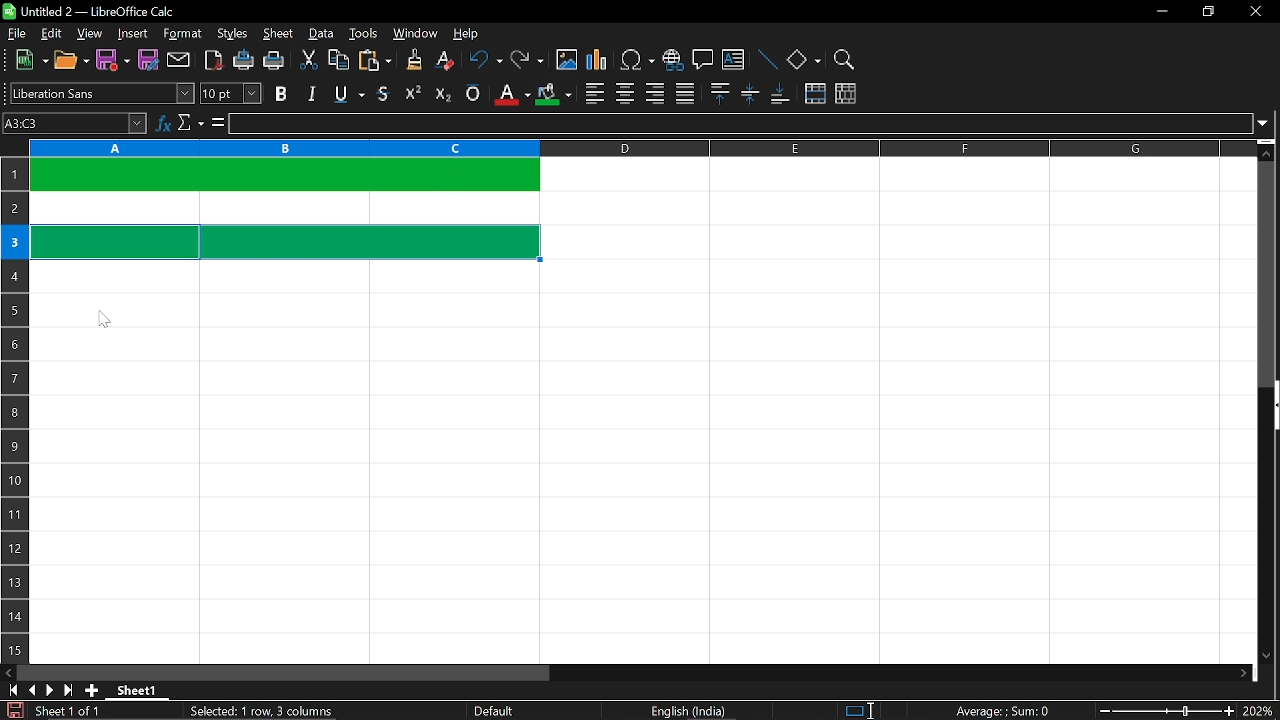 The width and height of the screenshot is (1280, 720). What do you see at coordinates (133, 34) in the screenshot?
I see `insert` at bounding box center [133, 34].